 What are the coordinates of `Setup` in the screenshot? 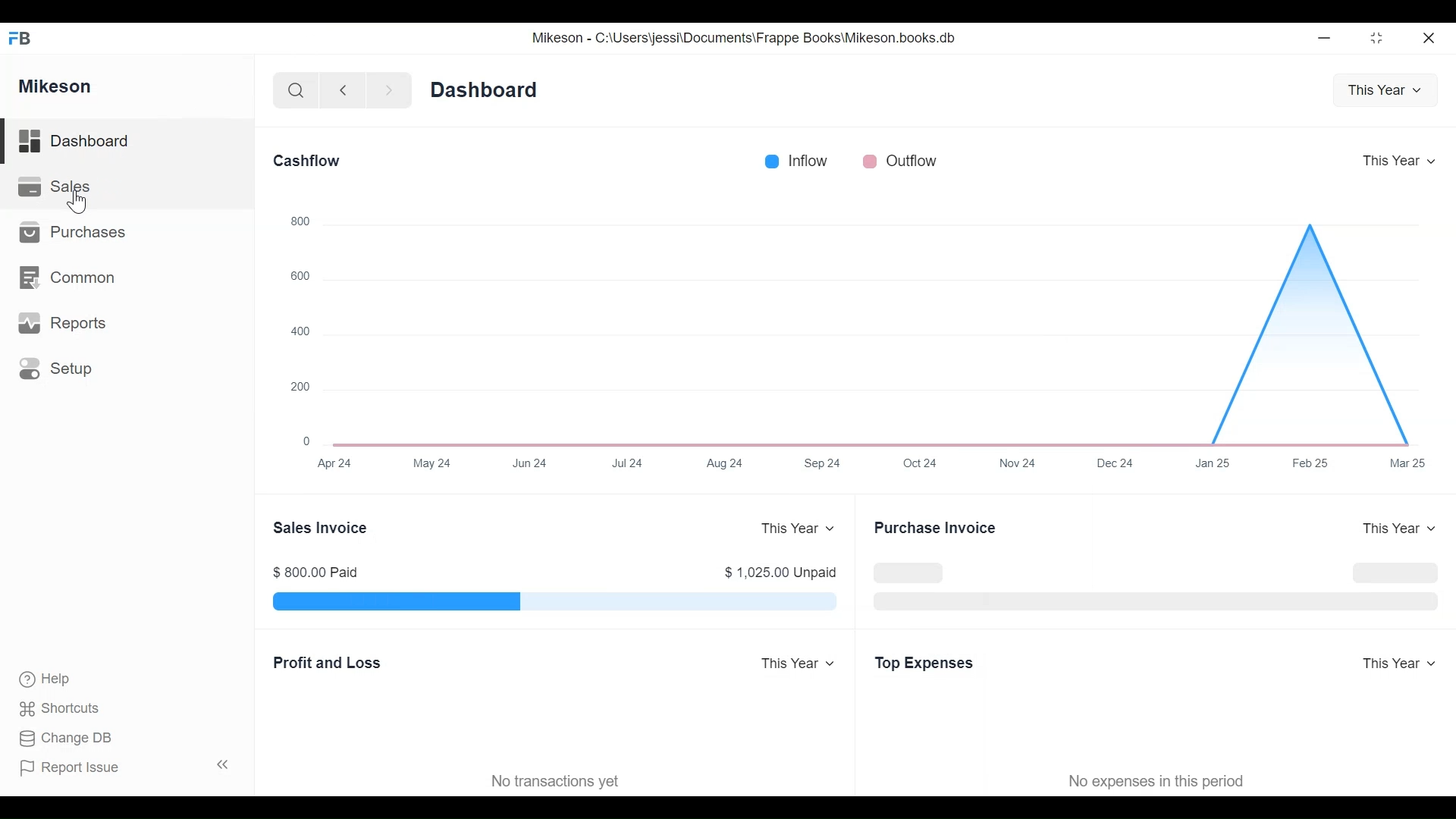 It's located at (58, 370).